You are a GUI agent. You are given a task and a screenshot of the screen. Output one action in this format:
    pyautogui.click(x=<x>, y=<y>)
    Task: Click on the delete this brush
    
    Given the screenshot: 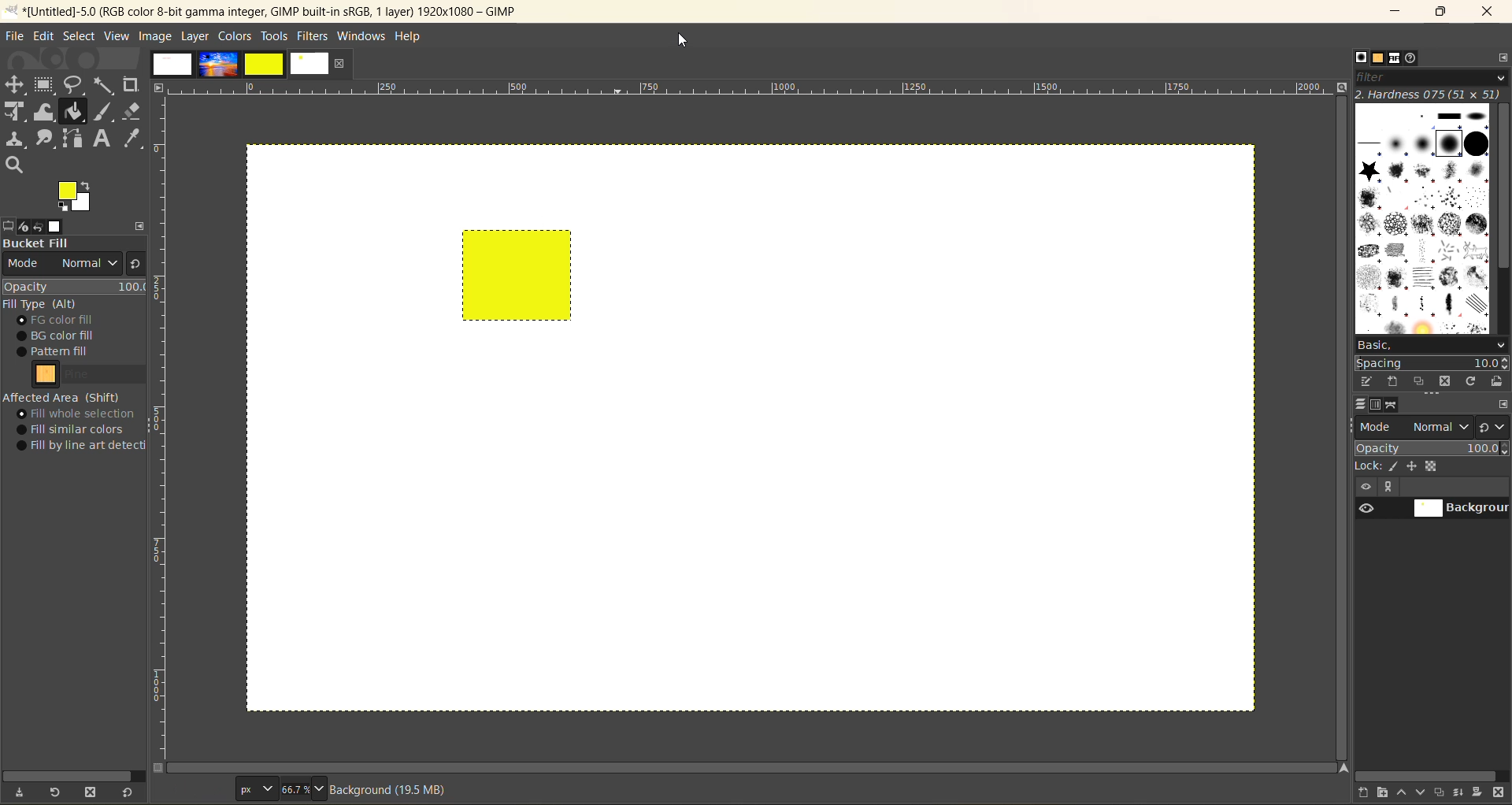 What is the action you would take?
    pyautogui.click(x=1445, y=381)
    